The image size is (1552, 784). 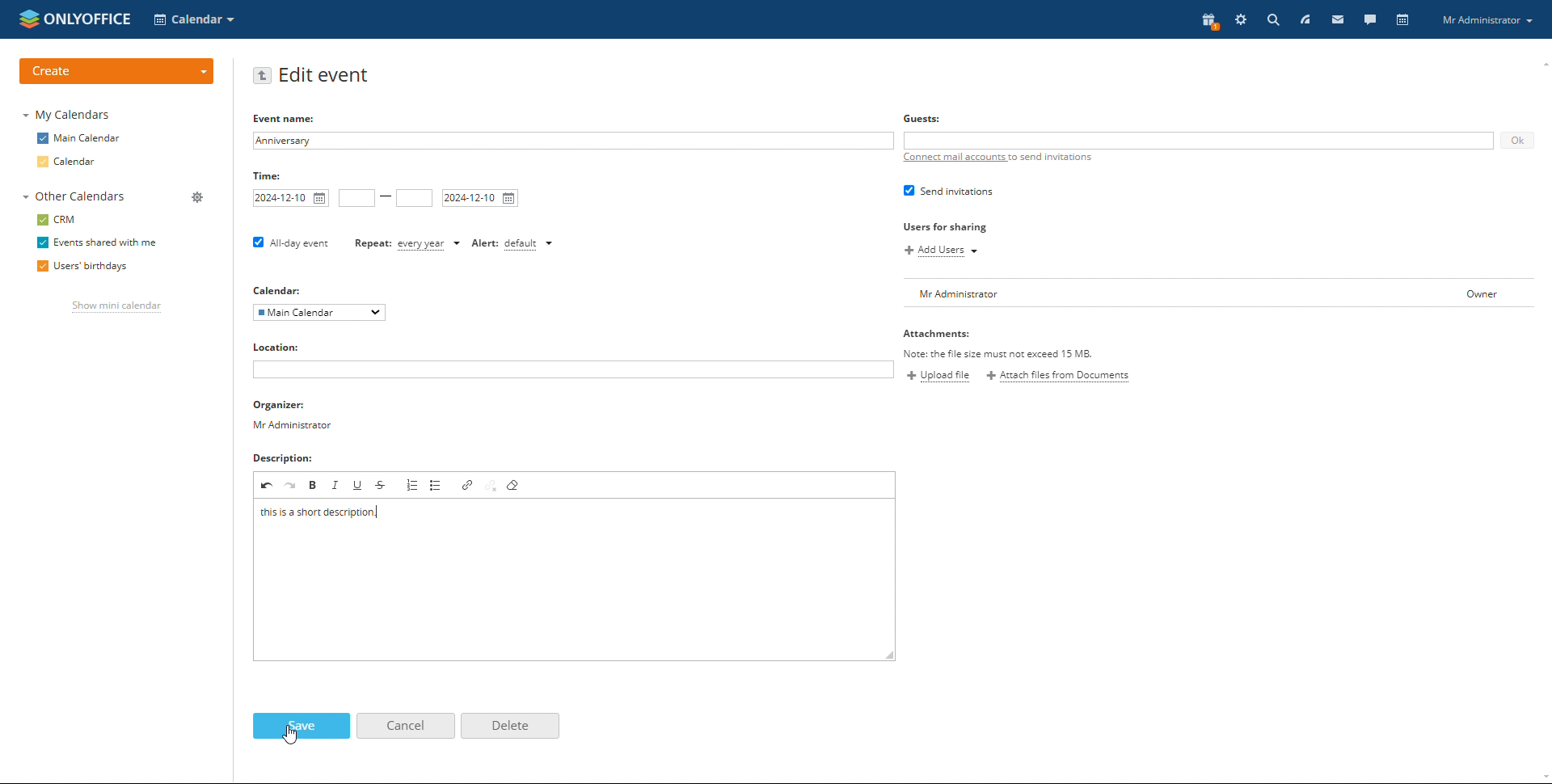 I want to click on start time, so click(x=357, y=198).